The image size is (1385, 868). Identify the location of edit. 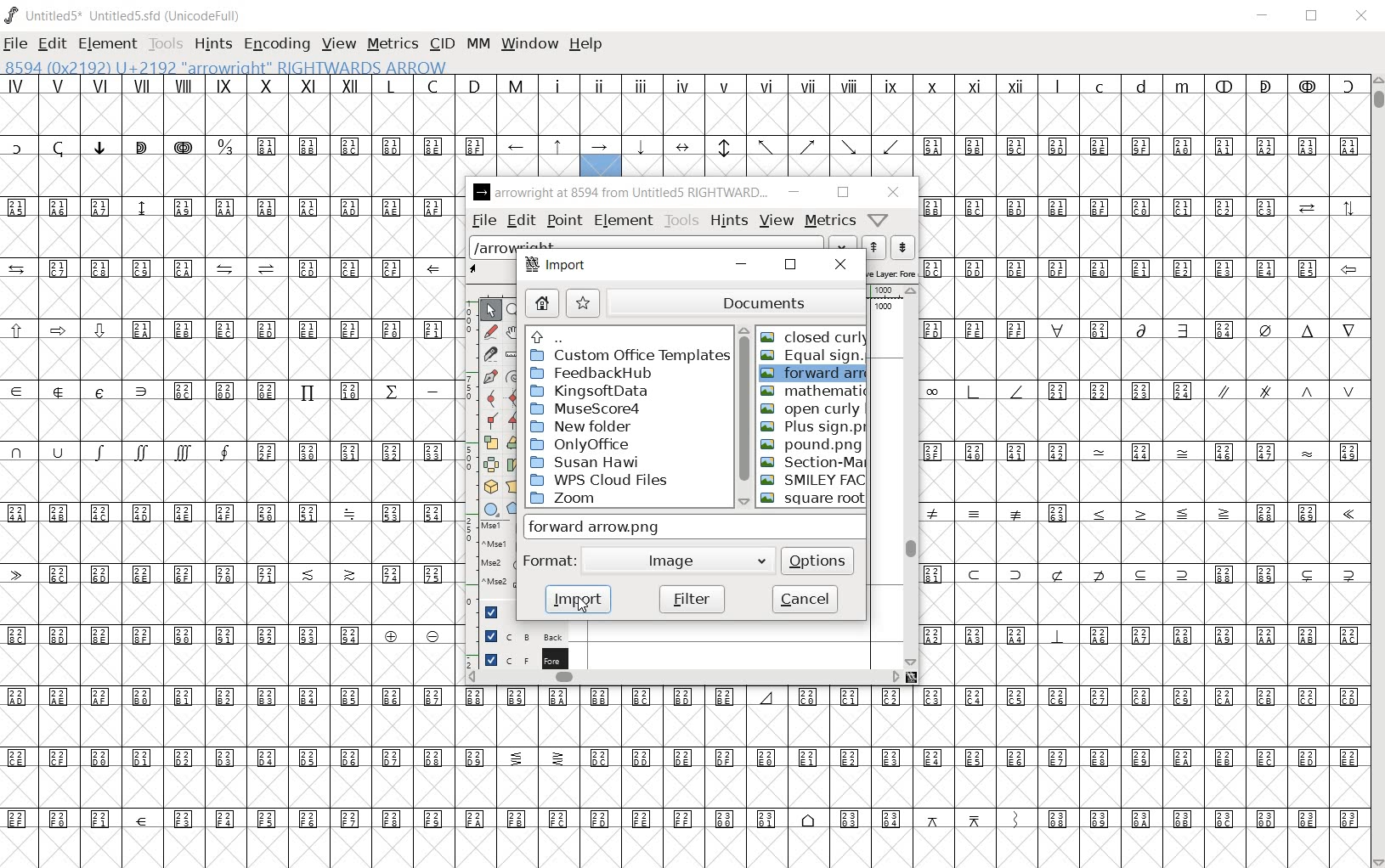
(520, 220).